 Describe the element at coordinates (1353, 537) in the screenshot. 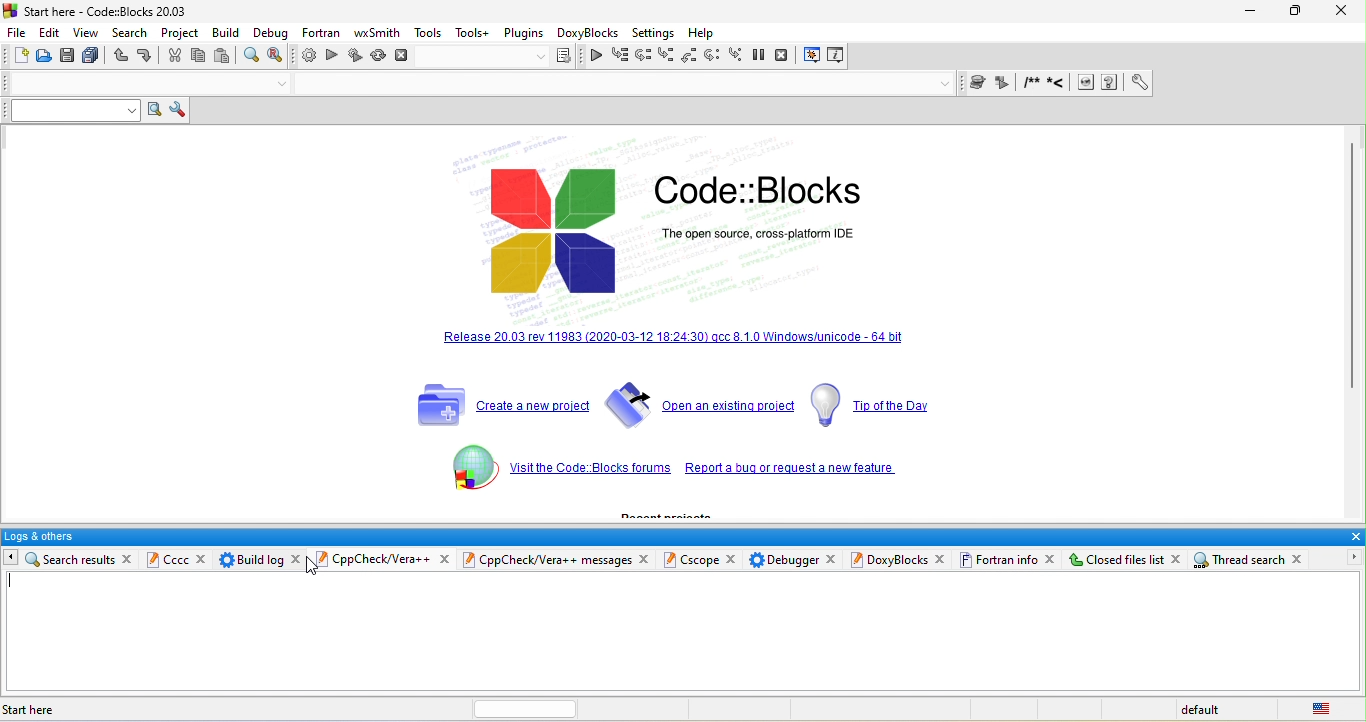

I see `close` at that location.